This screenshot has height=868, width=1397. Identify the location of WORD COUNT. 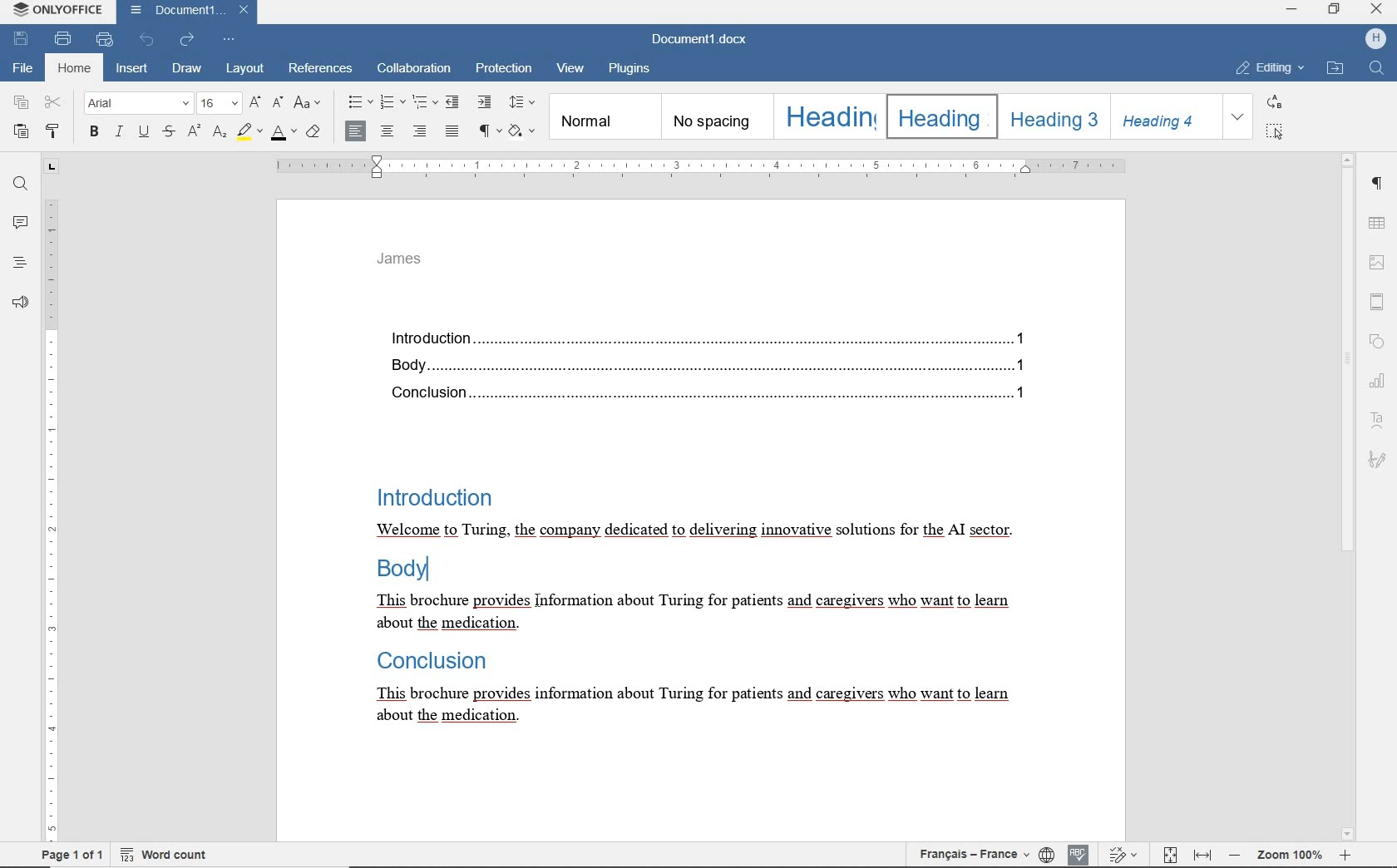
(160, 856).